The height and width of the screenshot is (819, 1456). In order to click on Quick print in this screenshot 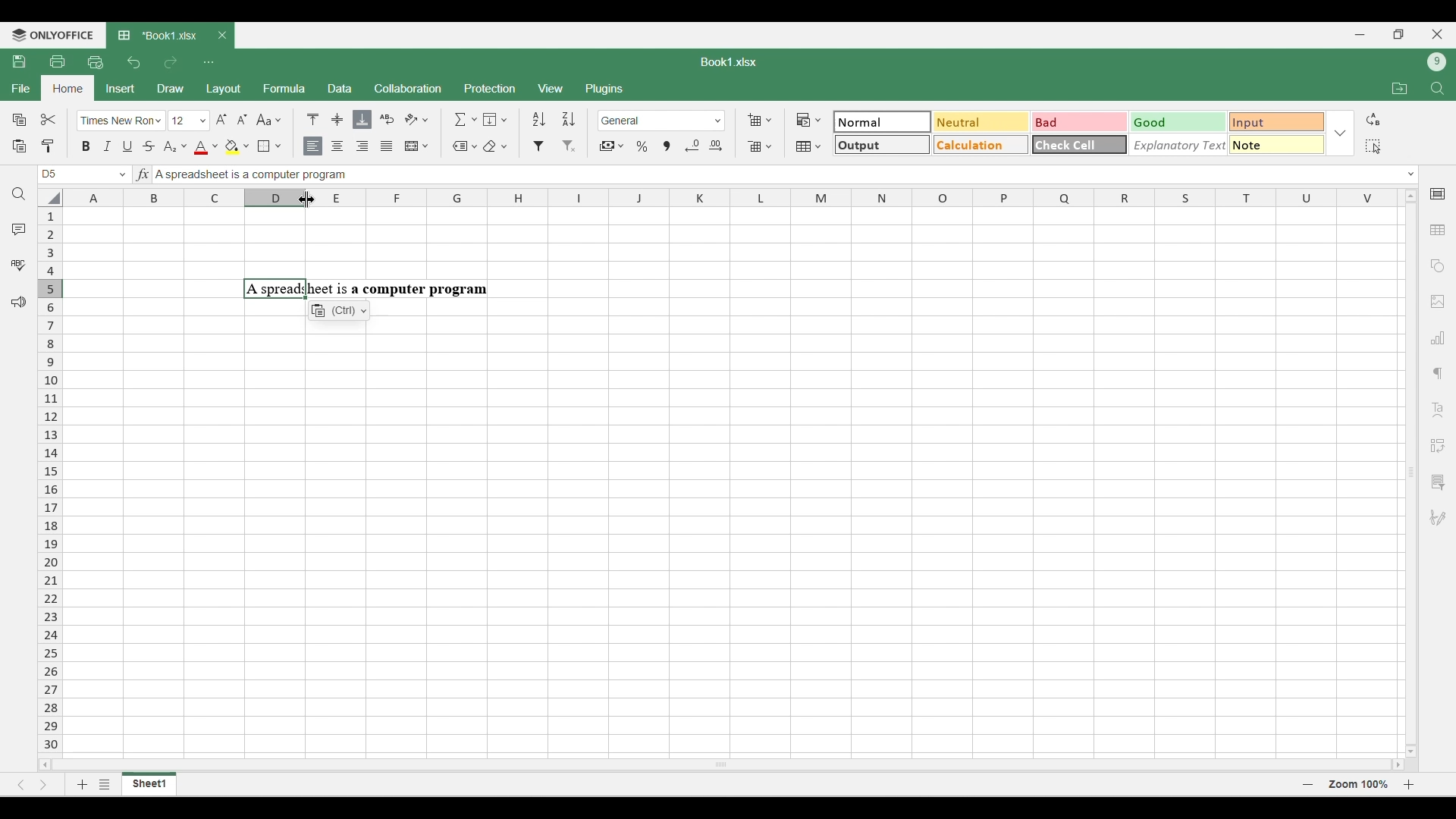, I will do `click(96, 62)`.